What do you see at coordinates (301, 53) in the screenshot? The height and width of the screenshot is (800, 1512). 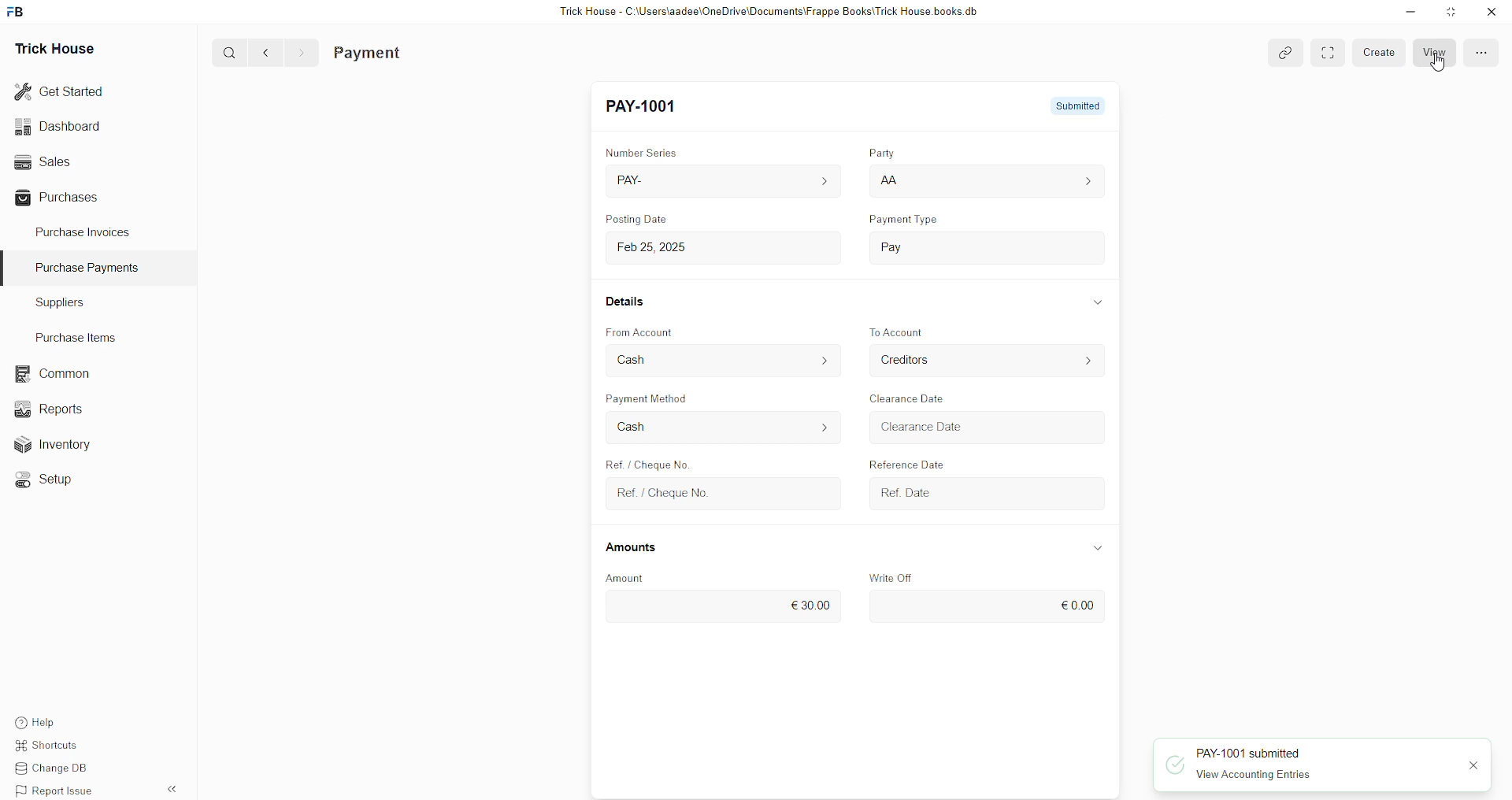 I see `>` at bounding box center [301, 53].